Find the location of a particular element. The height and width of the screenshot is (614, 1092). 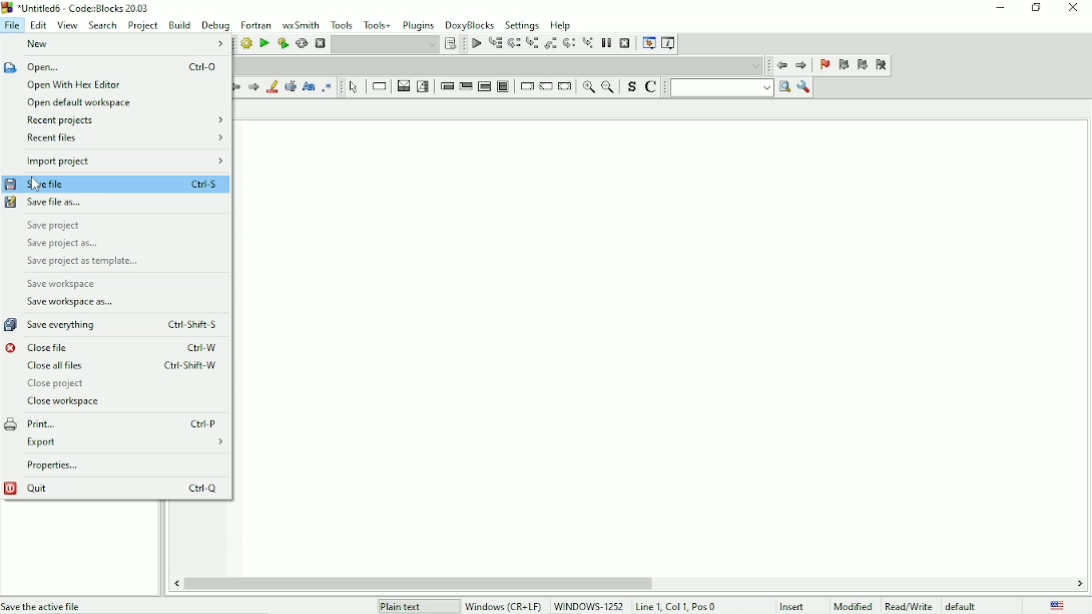

Debug is located at coordinates (216, 26).